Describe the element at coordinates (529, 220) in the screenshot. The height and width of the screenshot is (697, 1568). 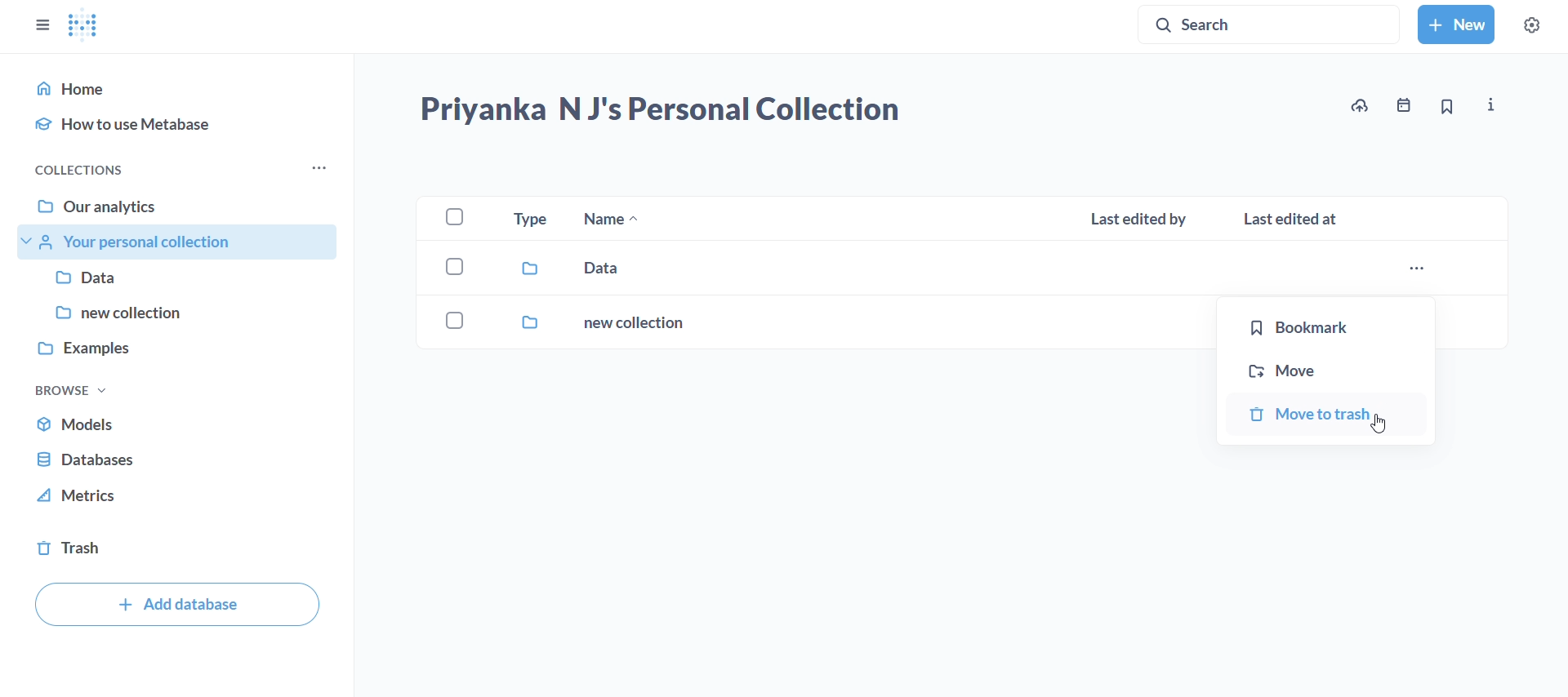
I see `type` at that location.